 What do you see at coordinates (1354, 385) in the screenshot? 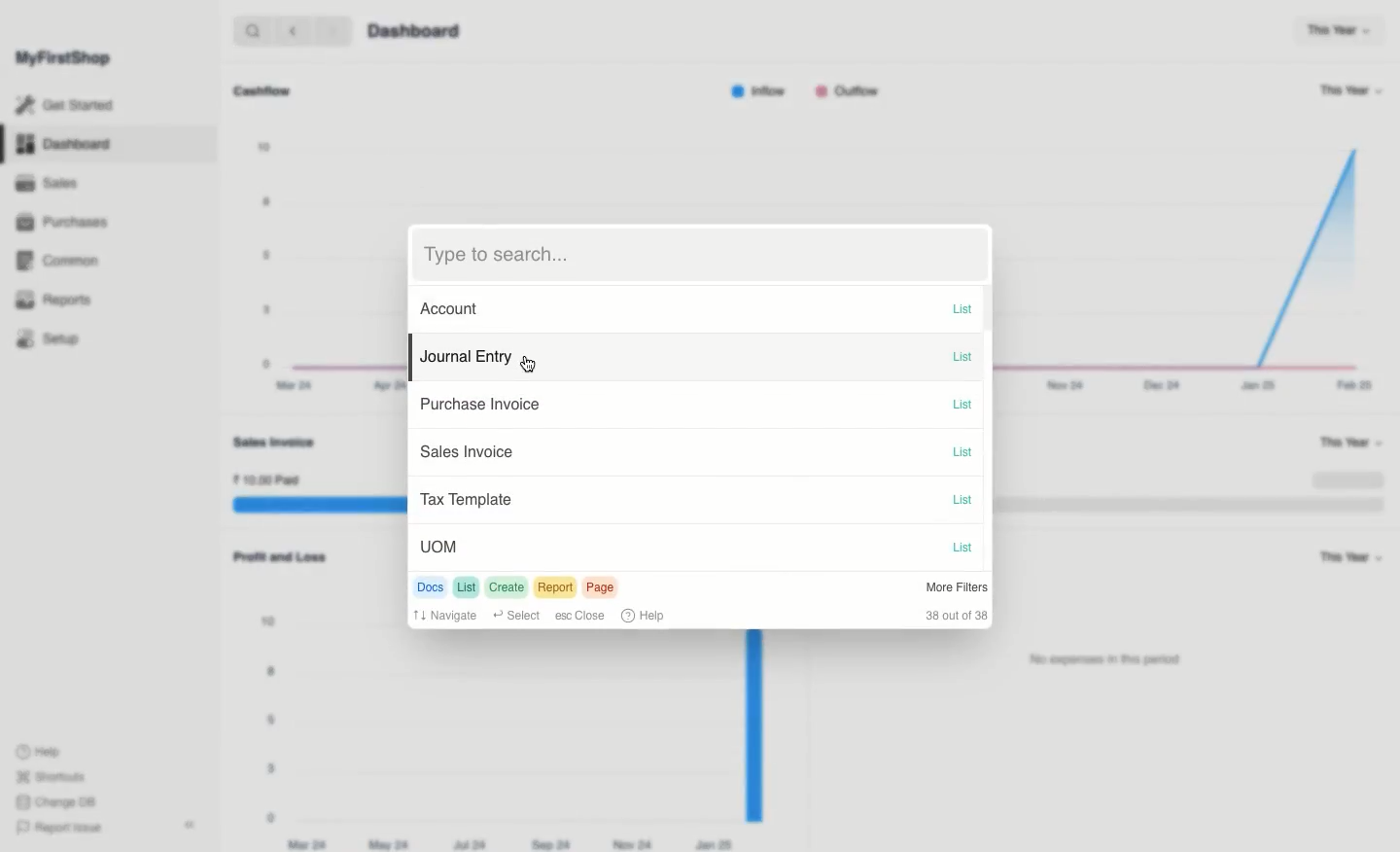
I see `Feb 25` at bounding box center [1354, 385].